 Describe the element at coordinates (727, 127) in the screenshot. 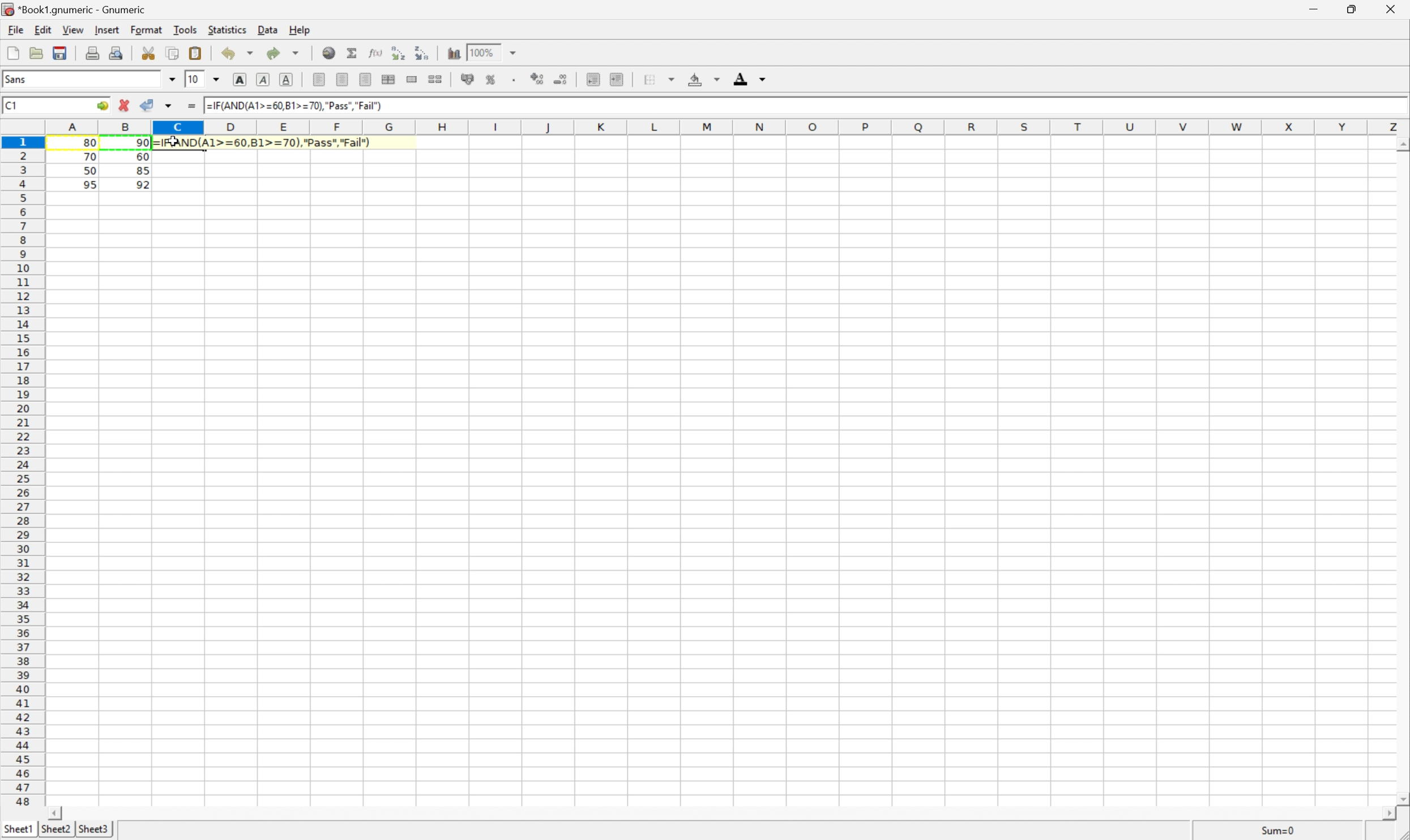

I see `Column names` at that location.